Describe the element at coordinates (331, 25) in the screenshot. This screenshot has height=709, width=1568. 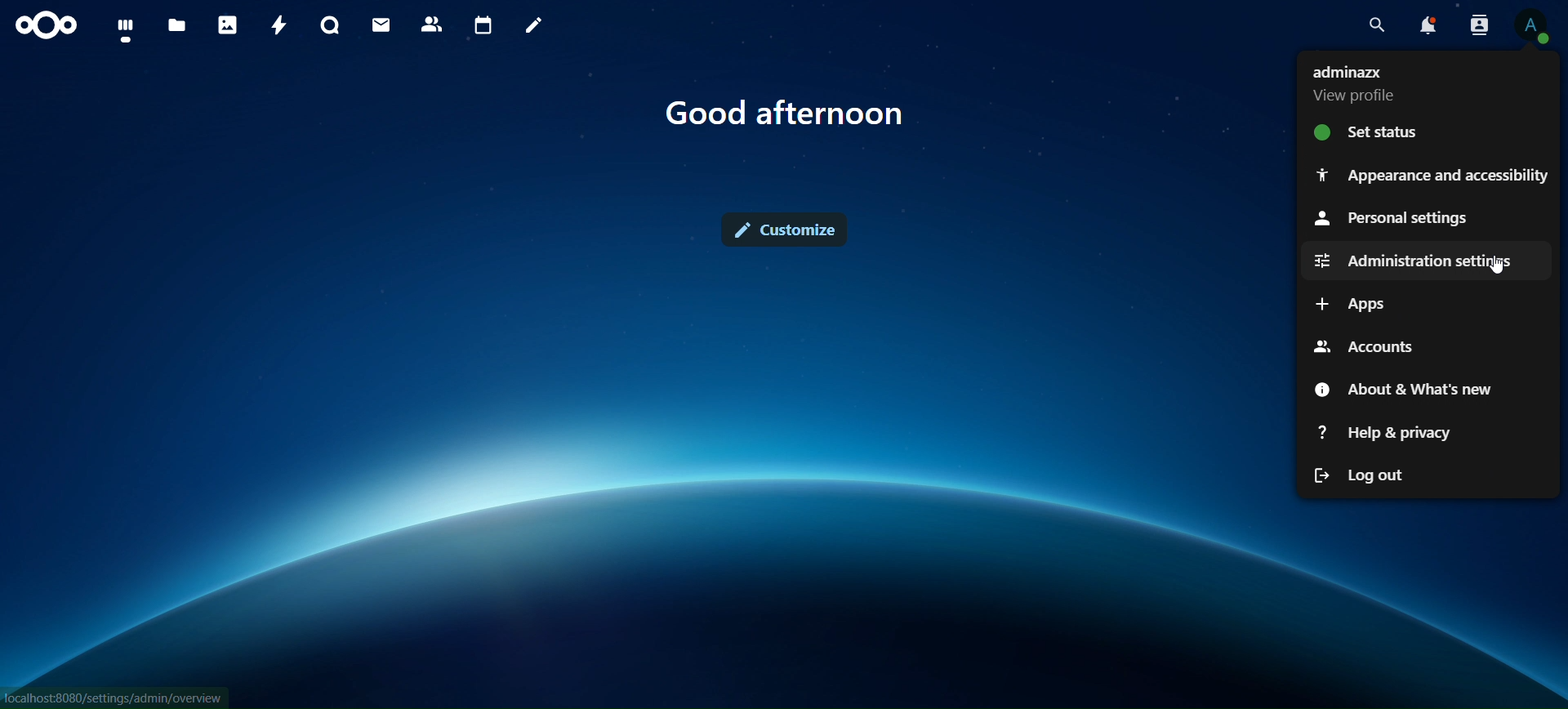
I see `talk` at that location.